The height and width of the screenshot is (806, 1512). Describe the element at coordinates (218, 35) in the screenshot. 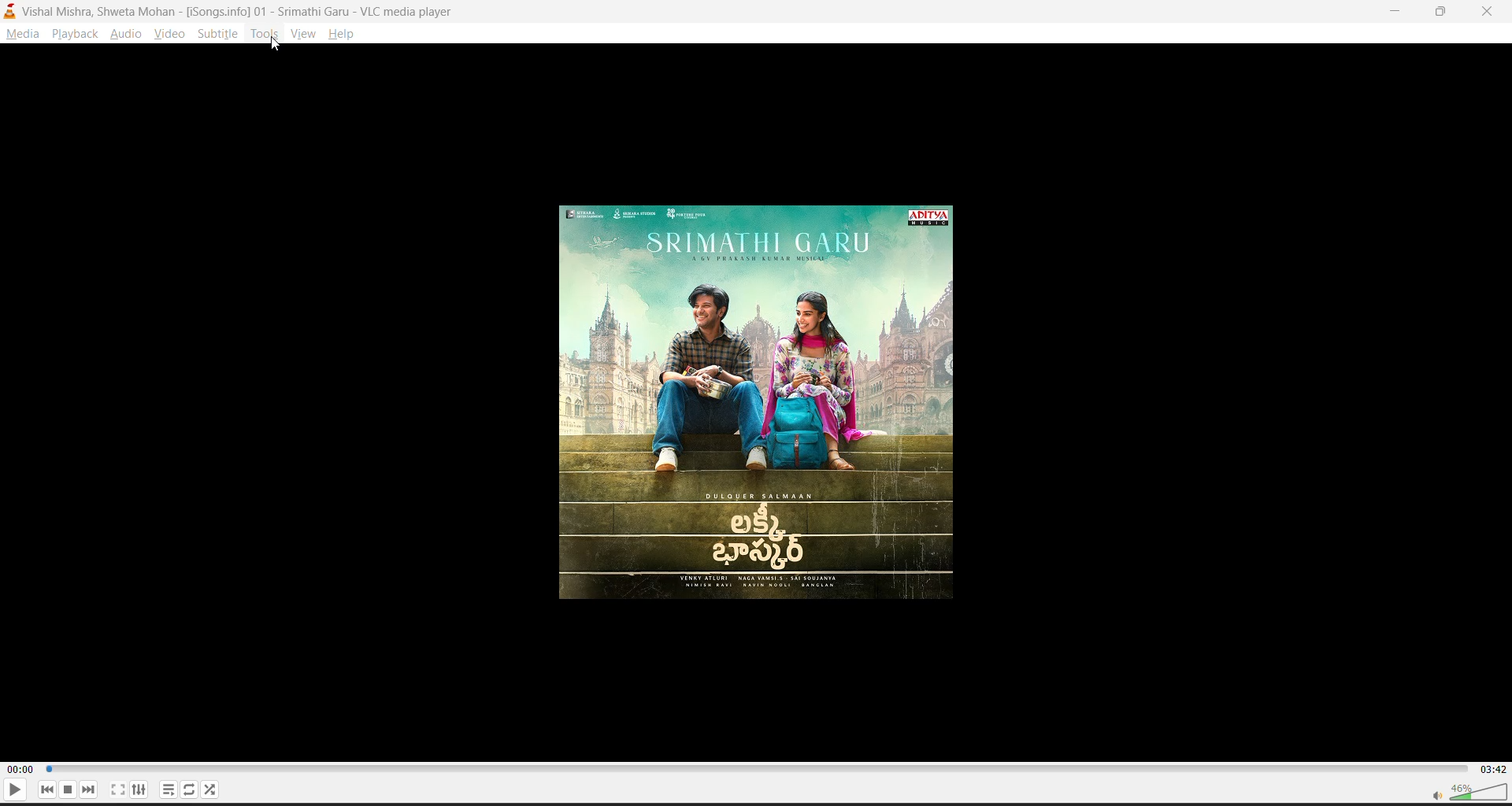

I see `subtitle` at that location.